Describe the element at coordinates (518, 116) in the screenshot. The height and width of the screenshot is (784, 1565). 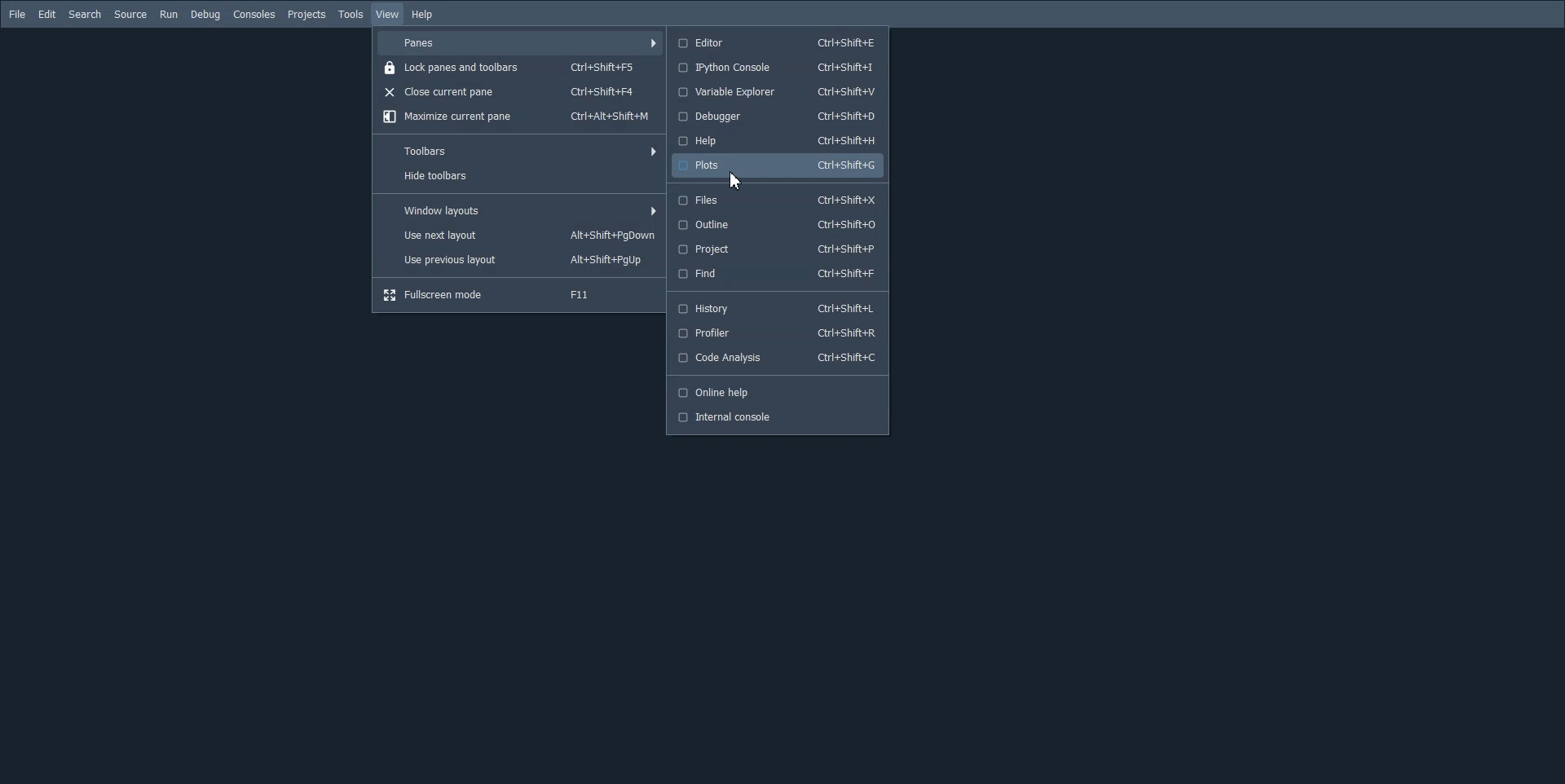
I see `Maximize current pane` at that location.